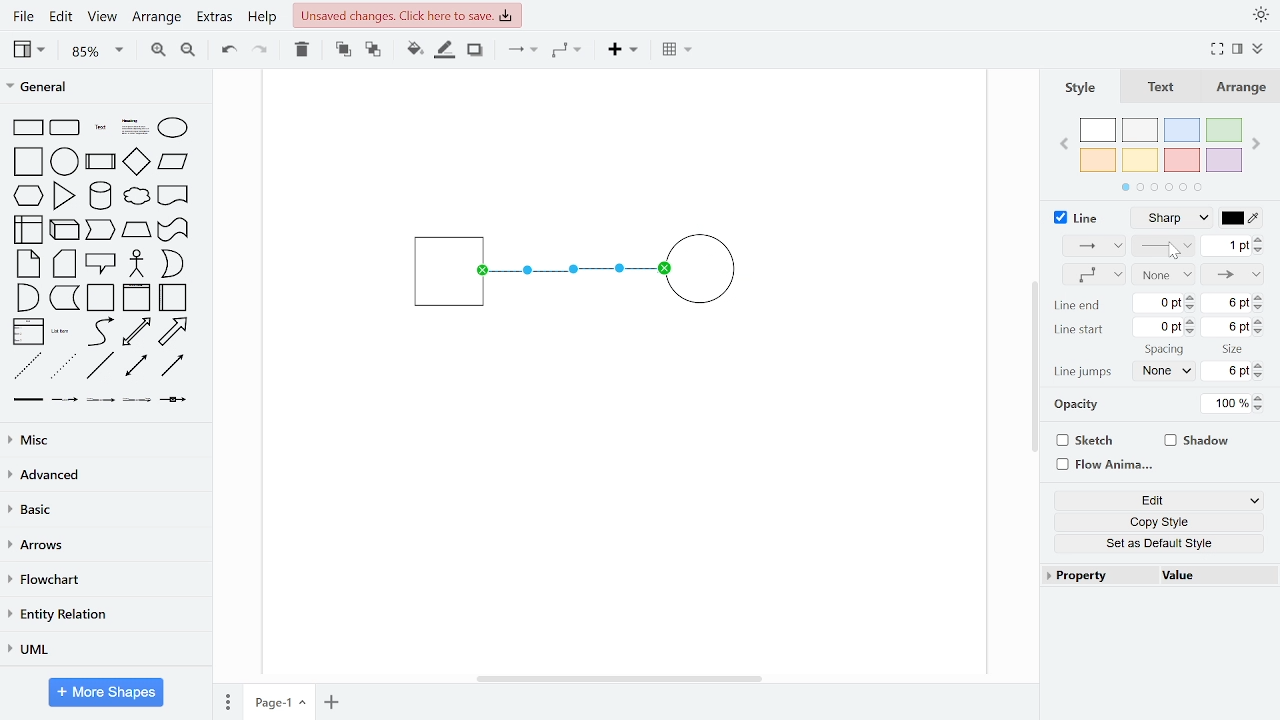 The image size is (1280, 720). What do you see at coordinates (224, 48) in the screenshot?
I see `undo` at bounding box center [224, 48].